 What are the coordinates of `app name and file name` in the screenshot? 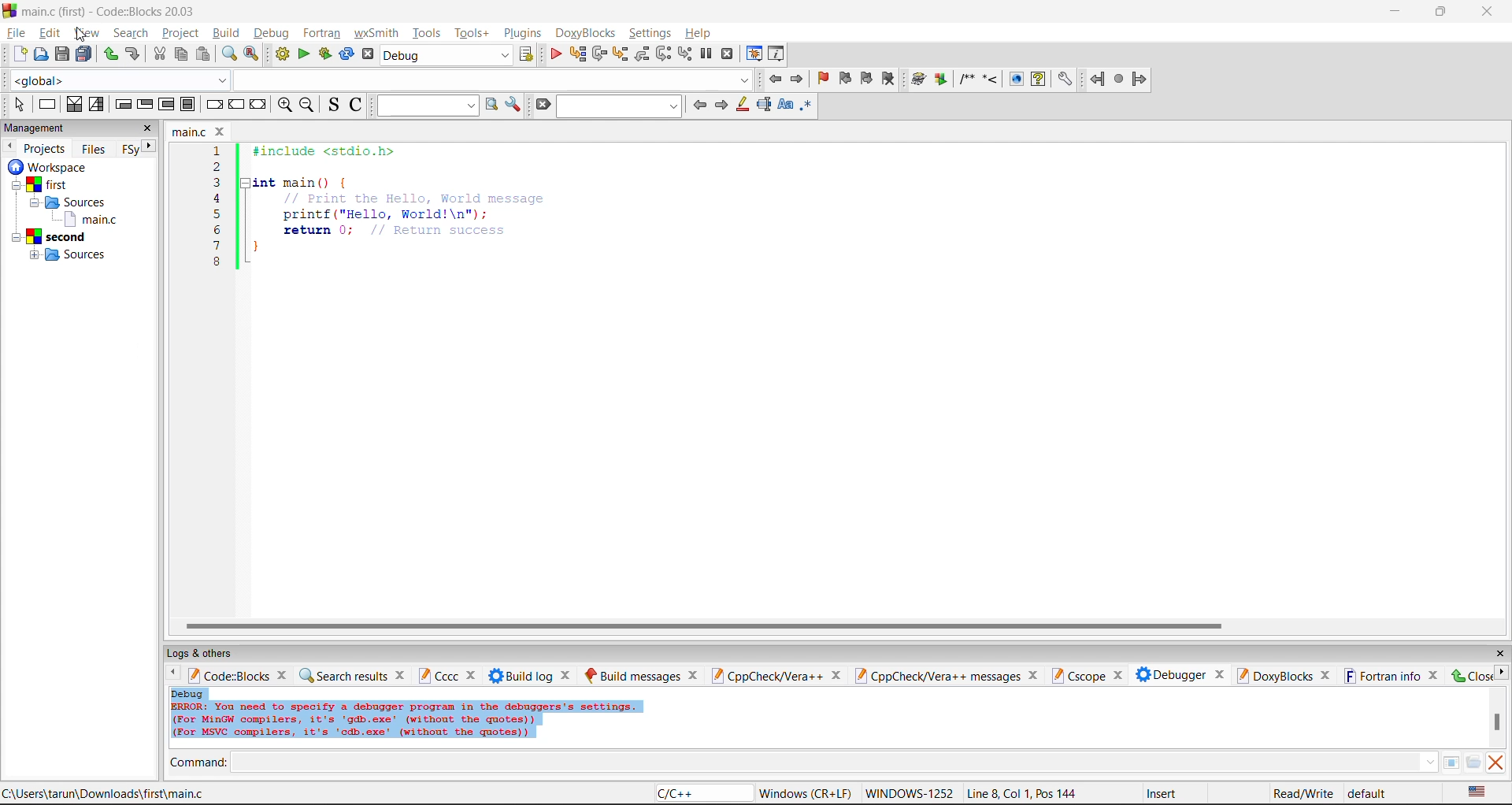 It's located at (113, 12).